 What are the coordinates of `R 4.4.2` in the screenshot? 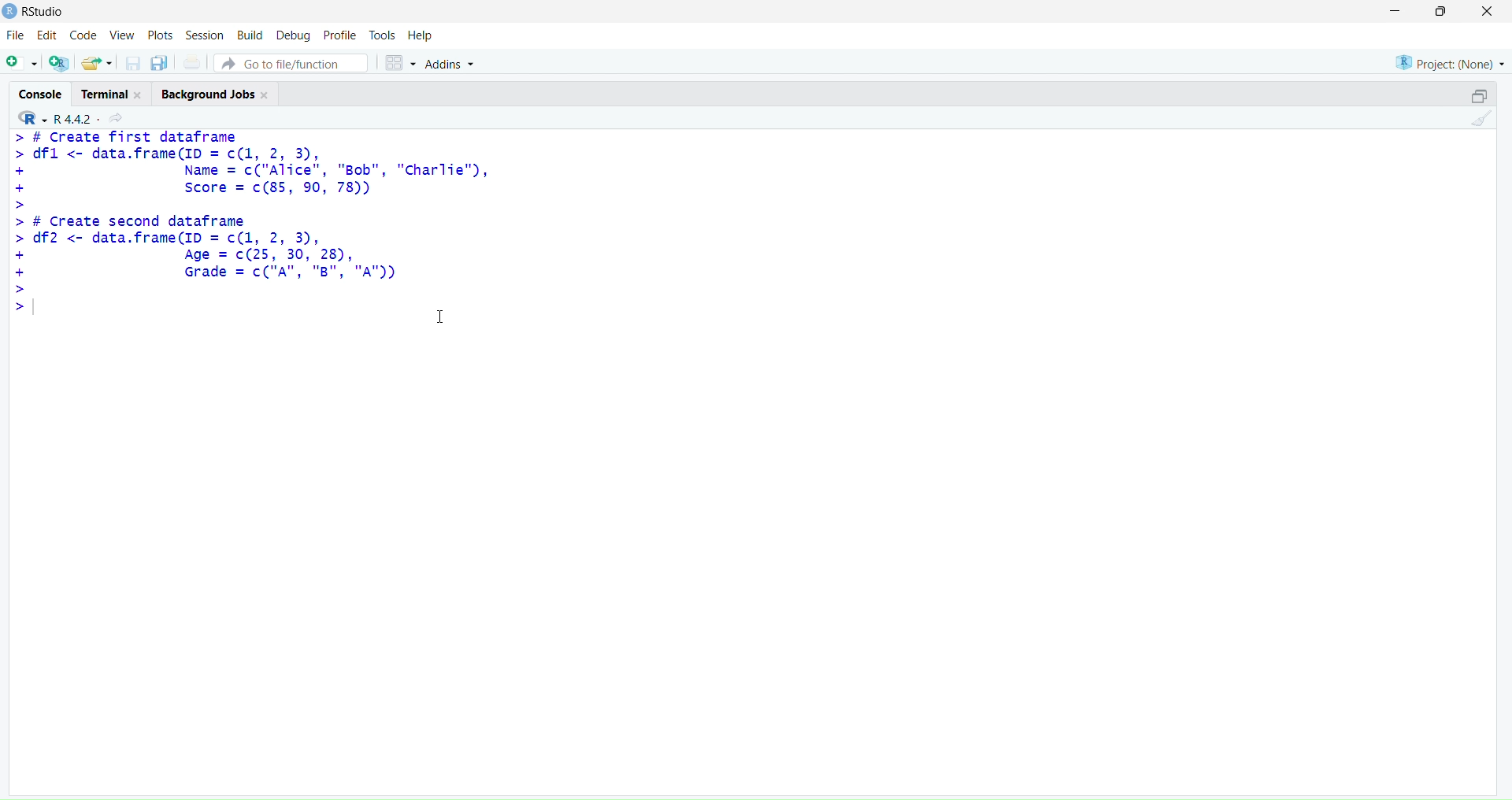 It's located at (54, 117).